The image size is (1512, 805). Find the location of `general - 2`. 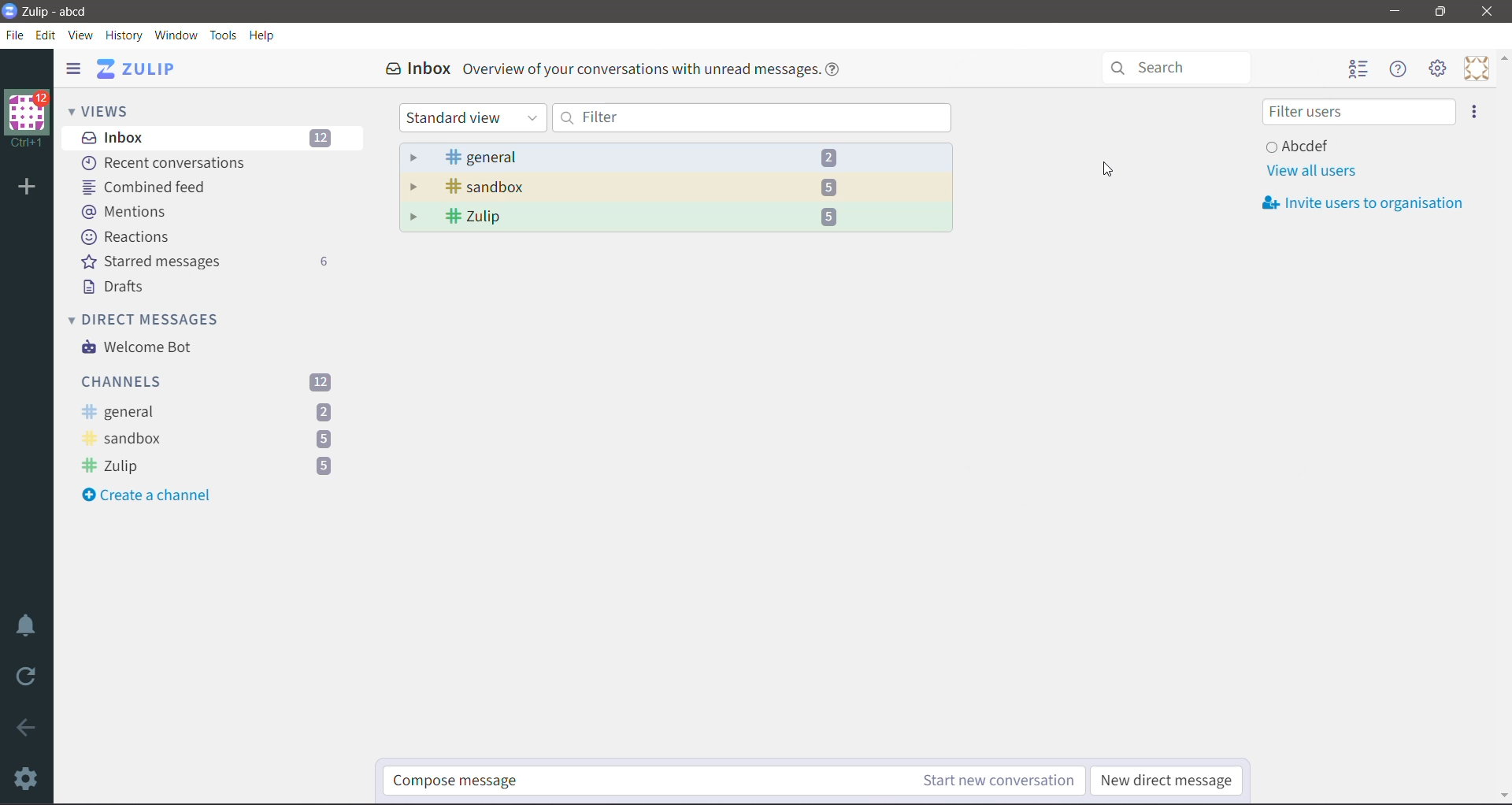

general - 2 is located at coordinates (676, 157).